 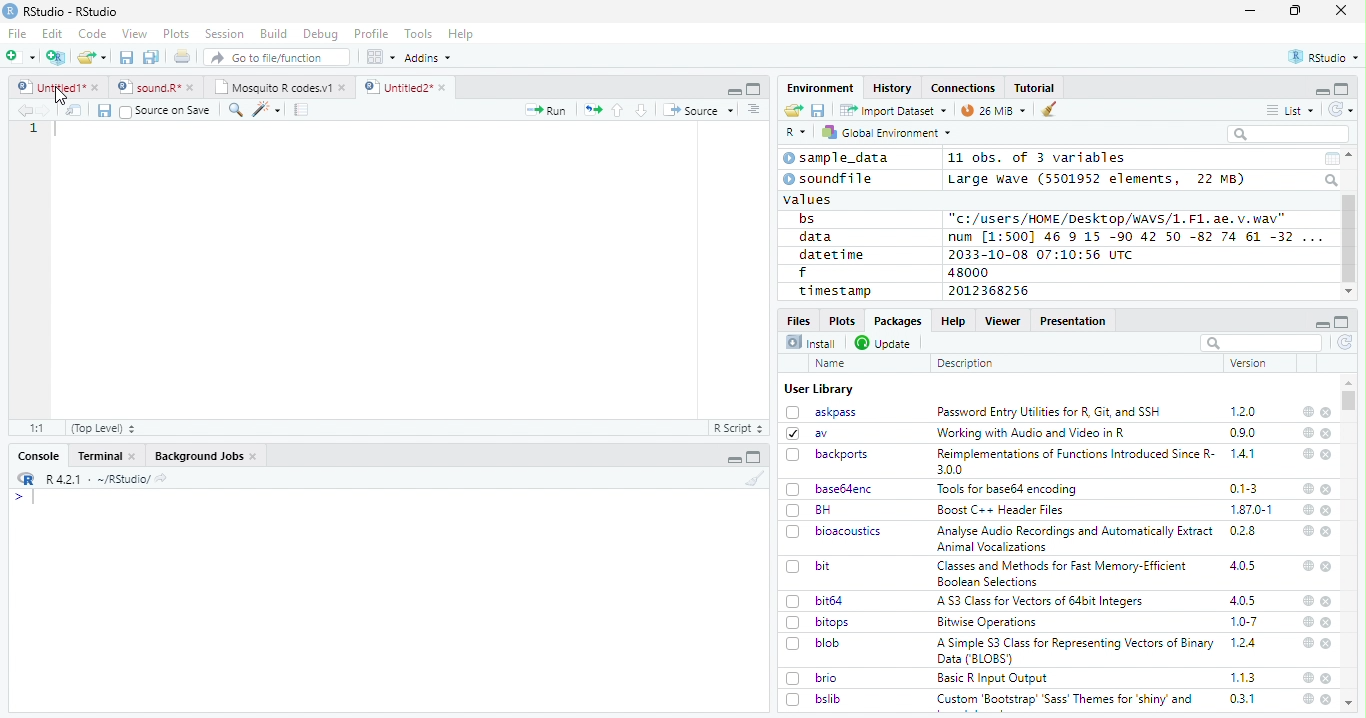 What do you see at coordinates (1307, 453) in the screenshot?
I see `help` at bounding box center [1307, 453].